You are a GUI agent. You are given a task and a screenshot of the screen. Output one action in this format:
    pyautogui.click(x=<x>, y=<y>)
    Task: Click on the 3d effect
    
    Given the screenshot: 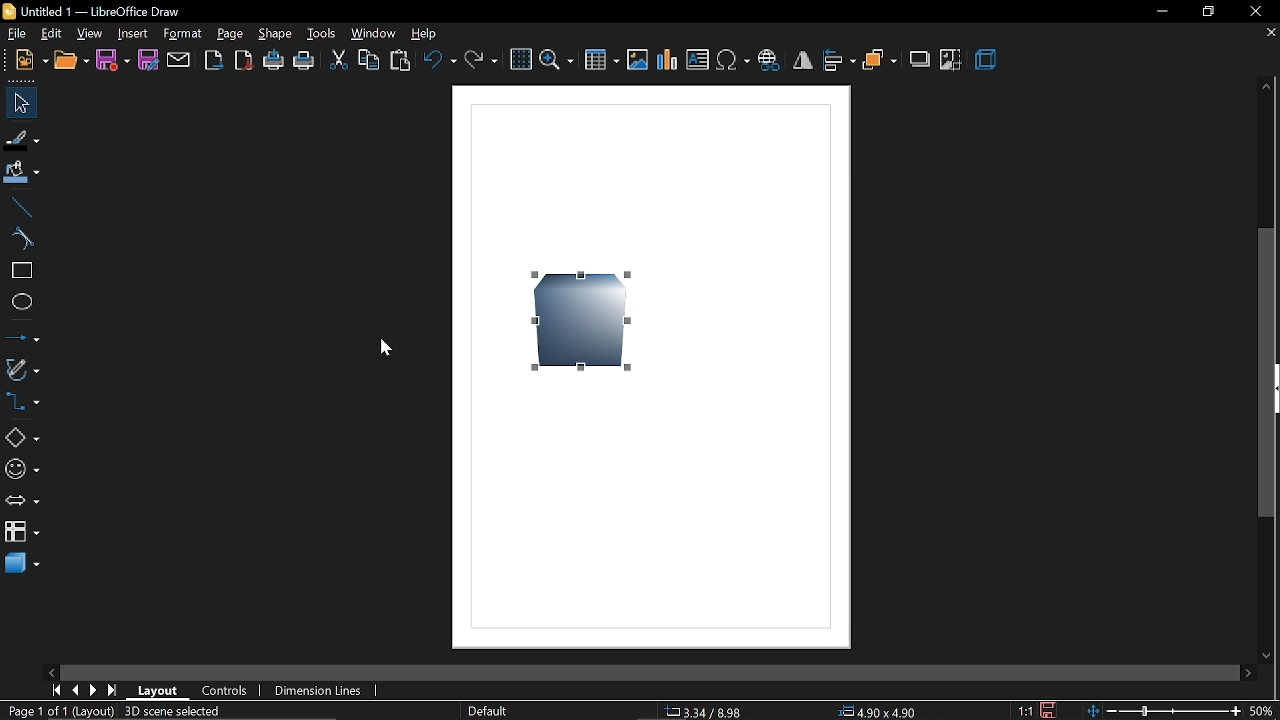 What is the action you would take?
    pyautogui.click(x=987, y=60)
    